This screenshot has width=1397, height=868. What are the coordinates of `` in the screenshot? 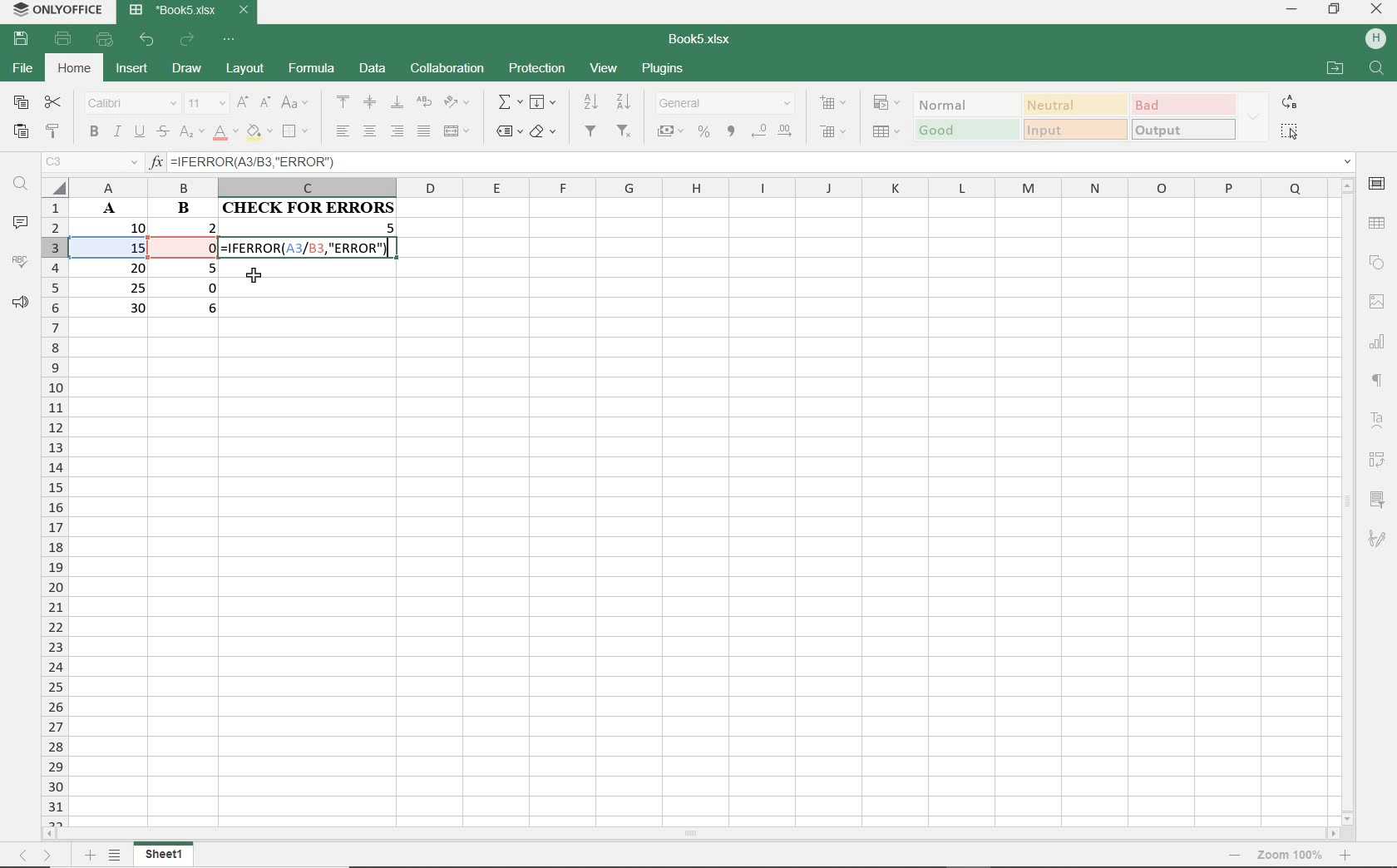 It's located at (1378, 540).